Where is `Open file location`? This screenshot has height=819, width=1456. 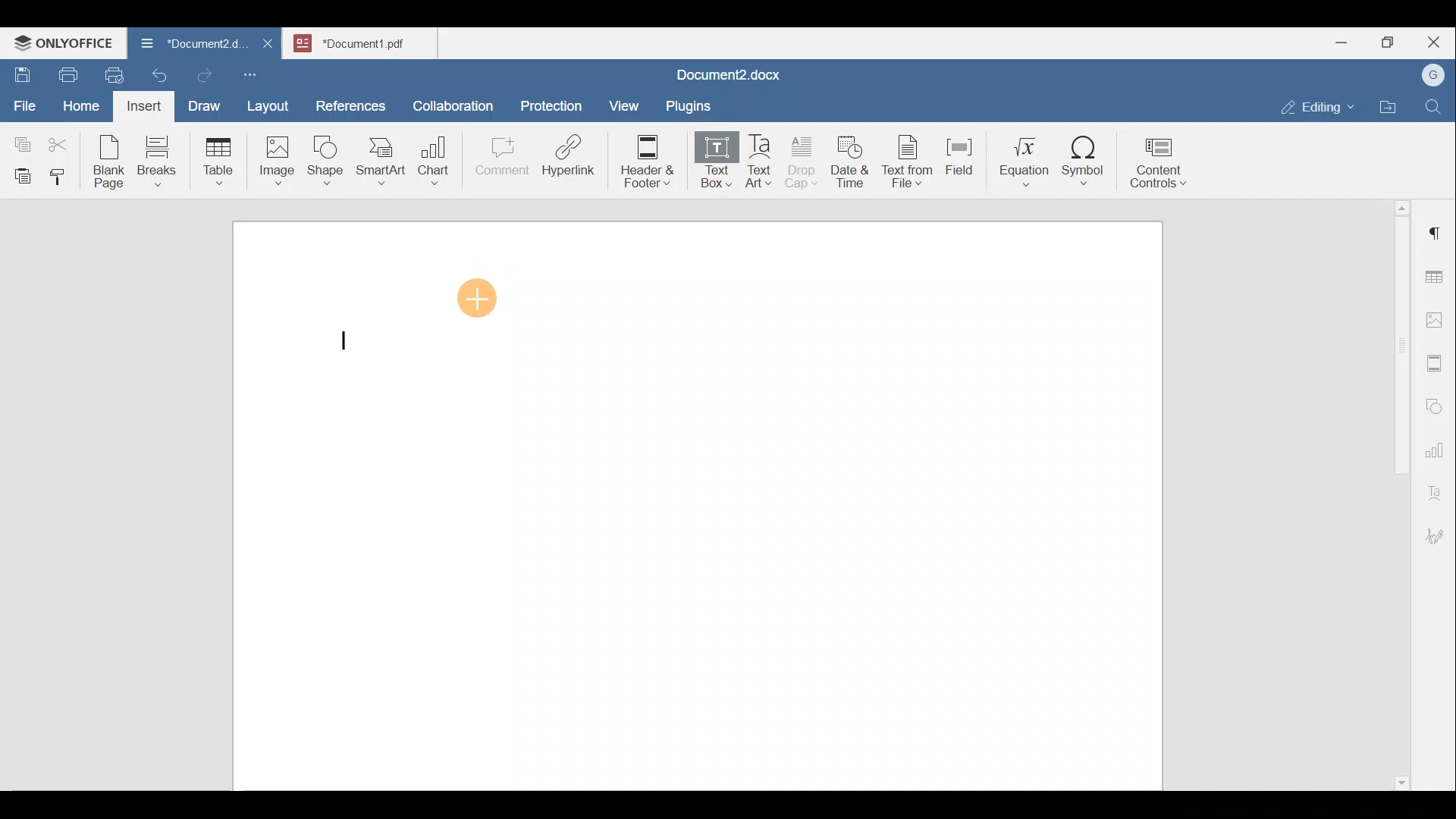
Open file location is located at coordinates (1392, 108).